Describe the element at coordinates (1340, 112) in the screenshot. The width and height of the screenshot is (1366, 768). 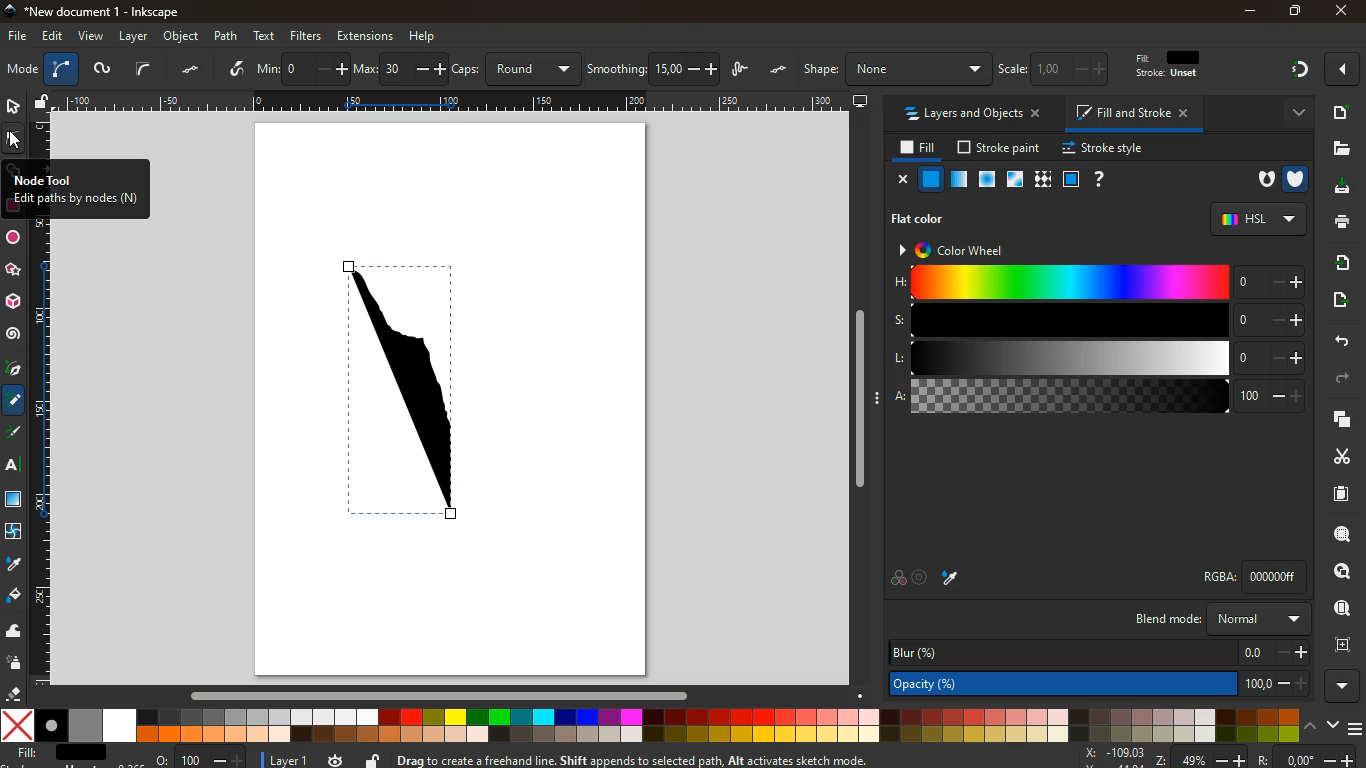
I see `add` at that location.